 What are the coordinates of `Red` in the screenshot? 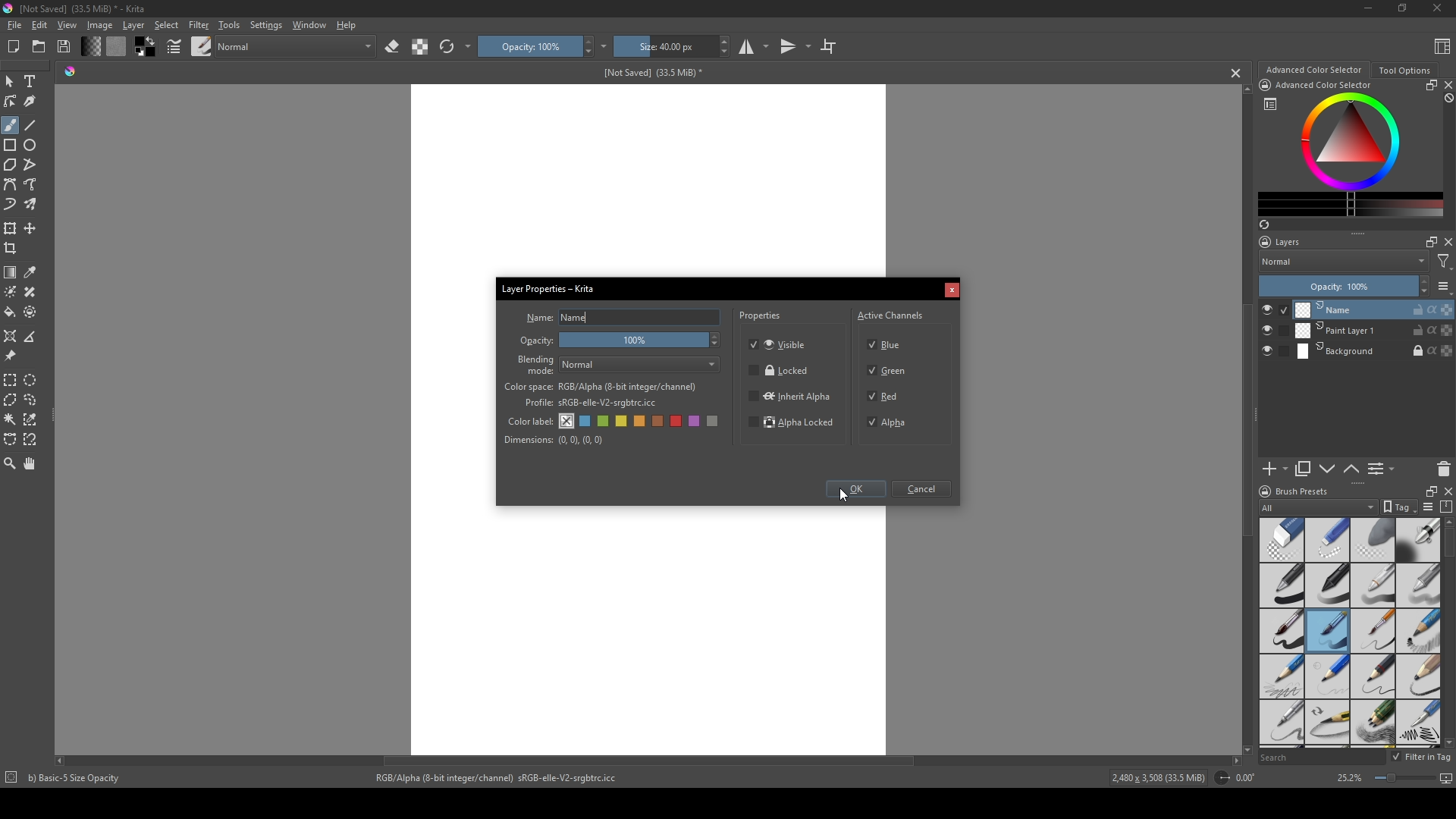 It's located at (885, 395).